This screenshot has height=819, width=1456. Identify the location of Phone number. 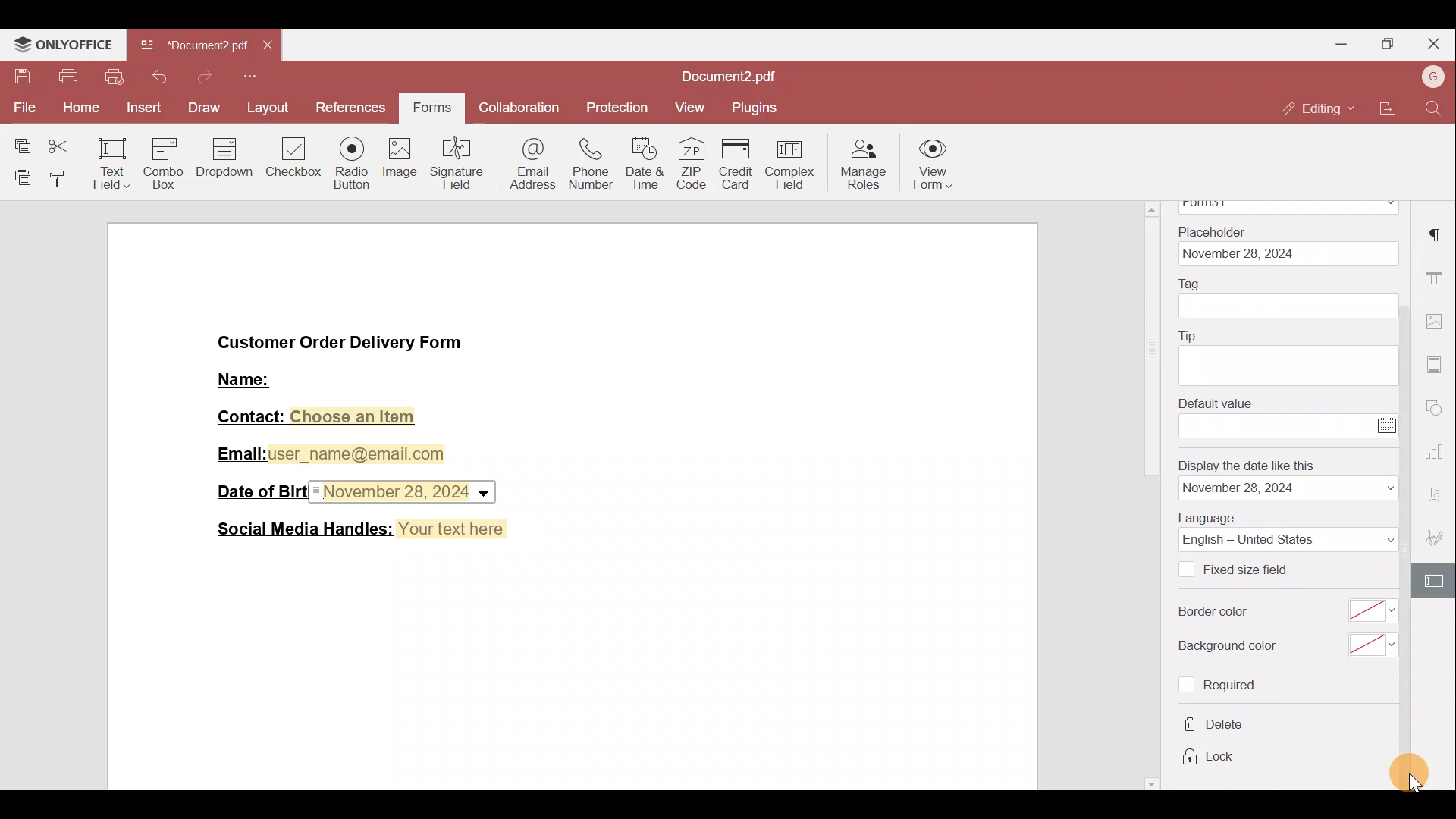
(591, 160).